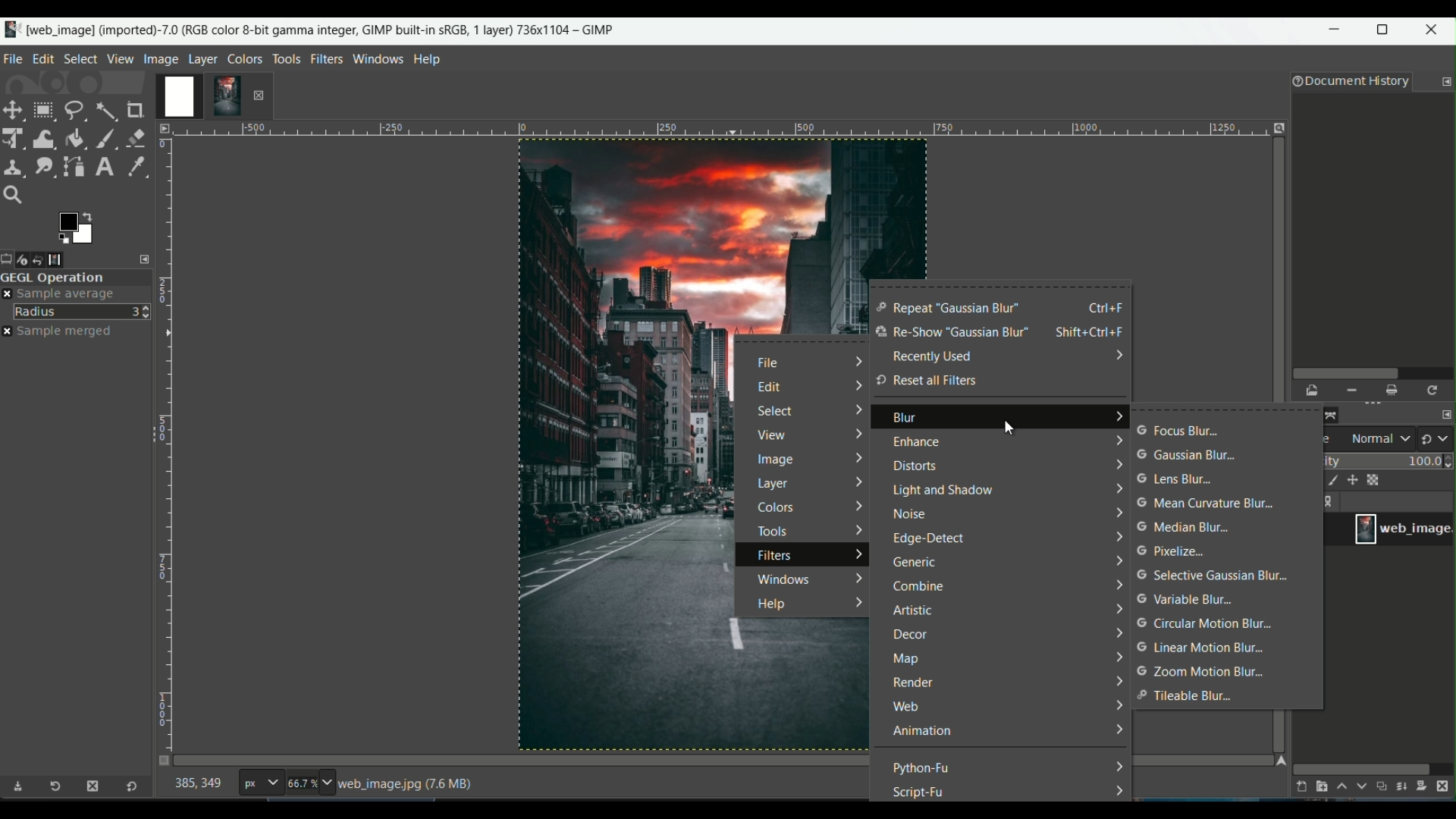 Image resolution: width=1456 pixels, height=819 pixels. I want to click on text tool, so click(103, 167).